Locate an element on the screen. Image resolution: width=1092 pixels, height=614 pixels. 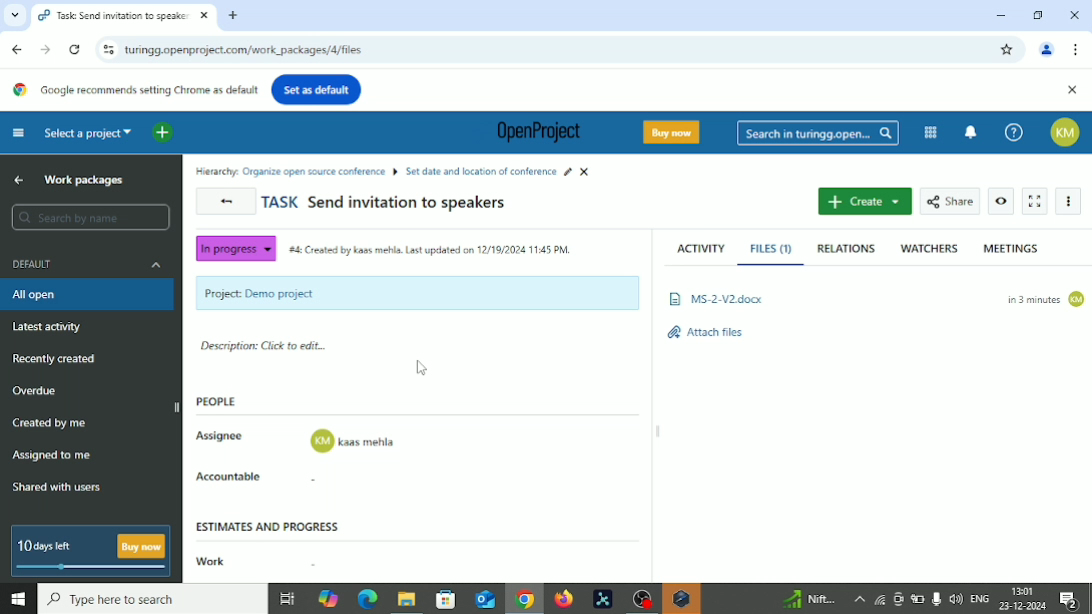
ll Hierarchy: Organize open source conference B Set date and location of conference # X is located at coordinates (397, 170).